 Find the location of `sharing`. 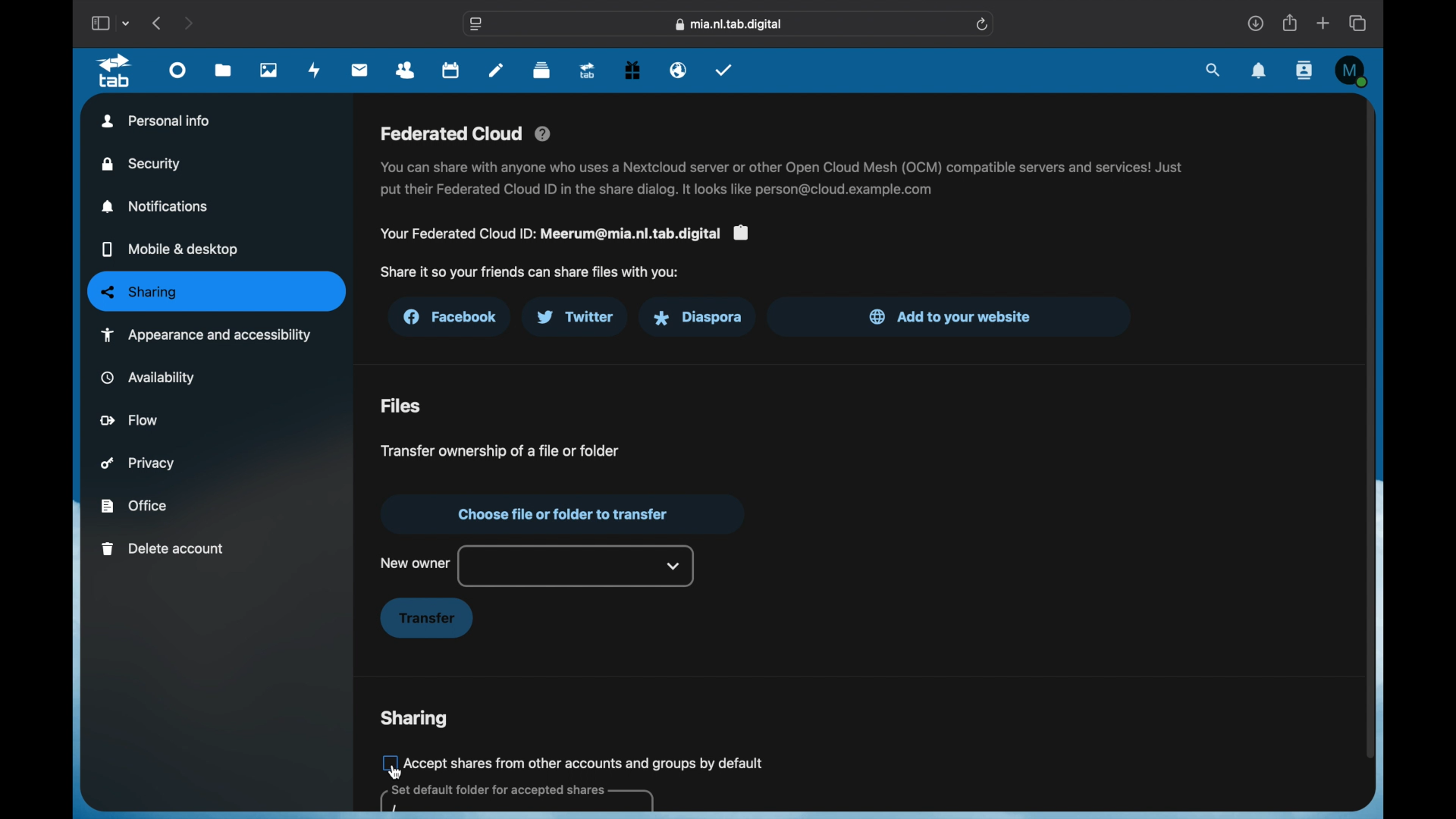

sharing is located at coordinates (414, 719).